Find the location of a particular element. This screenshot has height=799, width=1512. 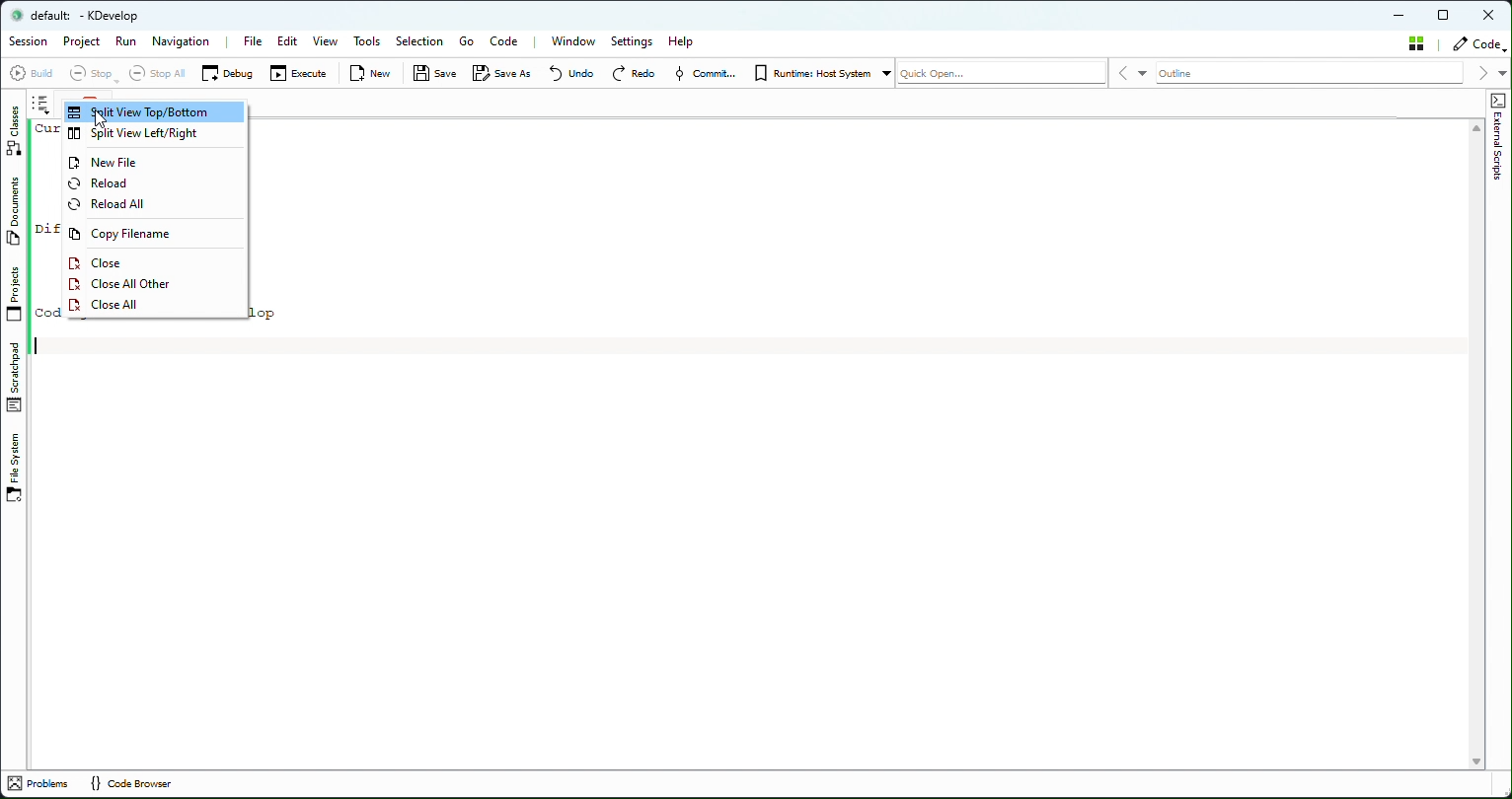

Reload is located at coordinates (154, 183).